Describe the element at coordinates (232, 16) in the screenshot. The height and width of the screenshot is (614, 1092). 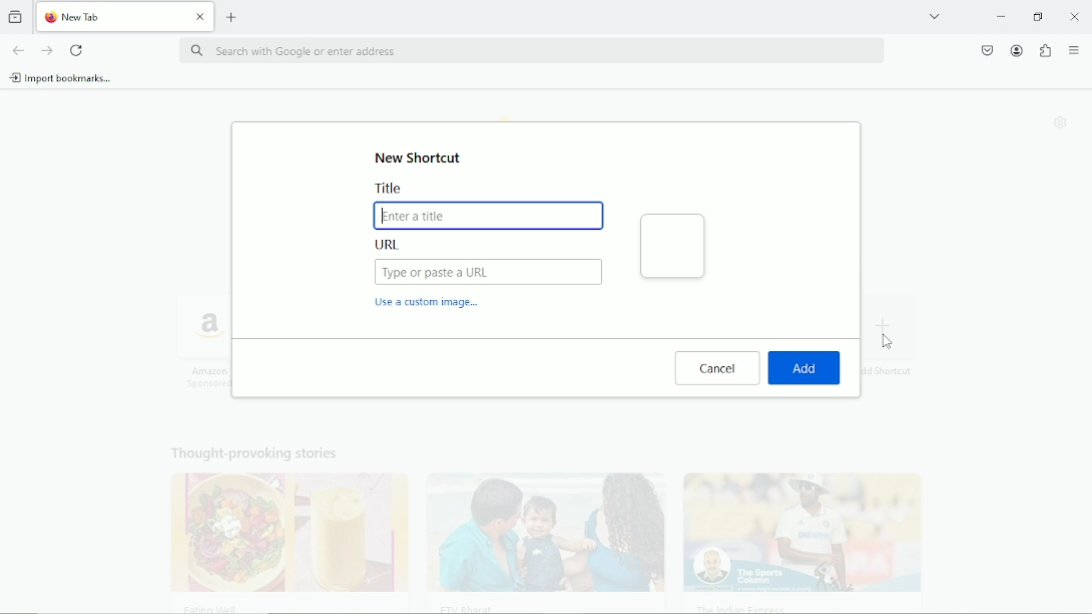
I see `new tab` at that location.